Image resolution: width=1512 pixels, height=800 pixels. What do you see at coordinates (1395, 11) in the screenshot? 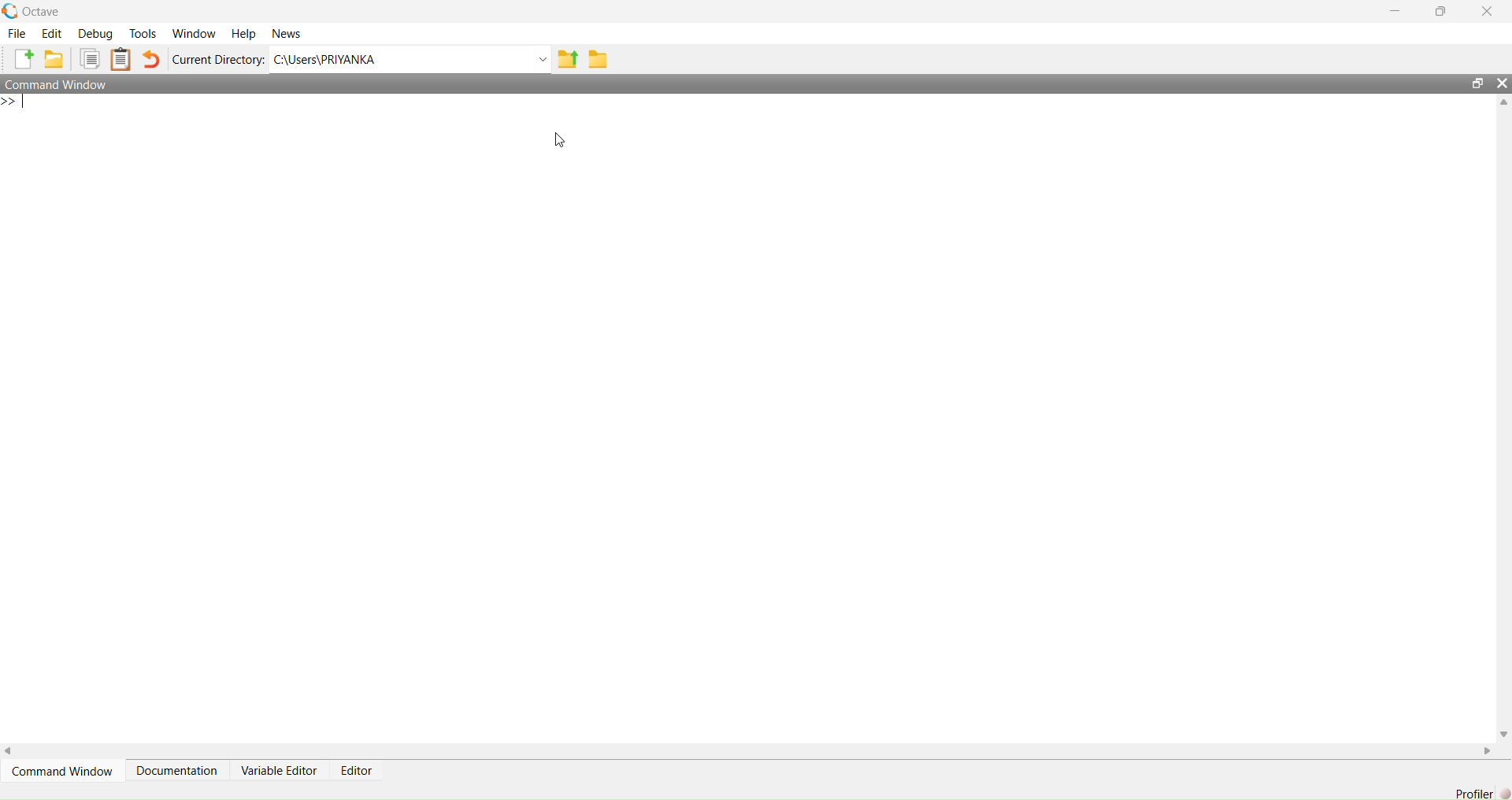
I see `minimize` at bounding box center [1395, 11].